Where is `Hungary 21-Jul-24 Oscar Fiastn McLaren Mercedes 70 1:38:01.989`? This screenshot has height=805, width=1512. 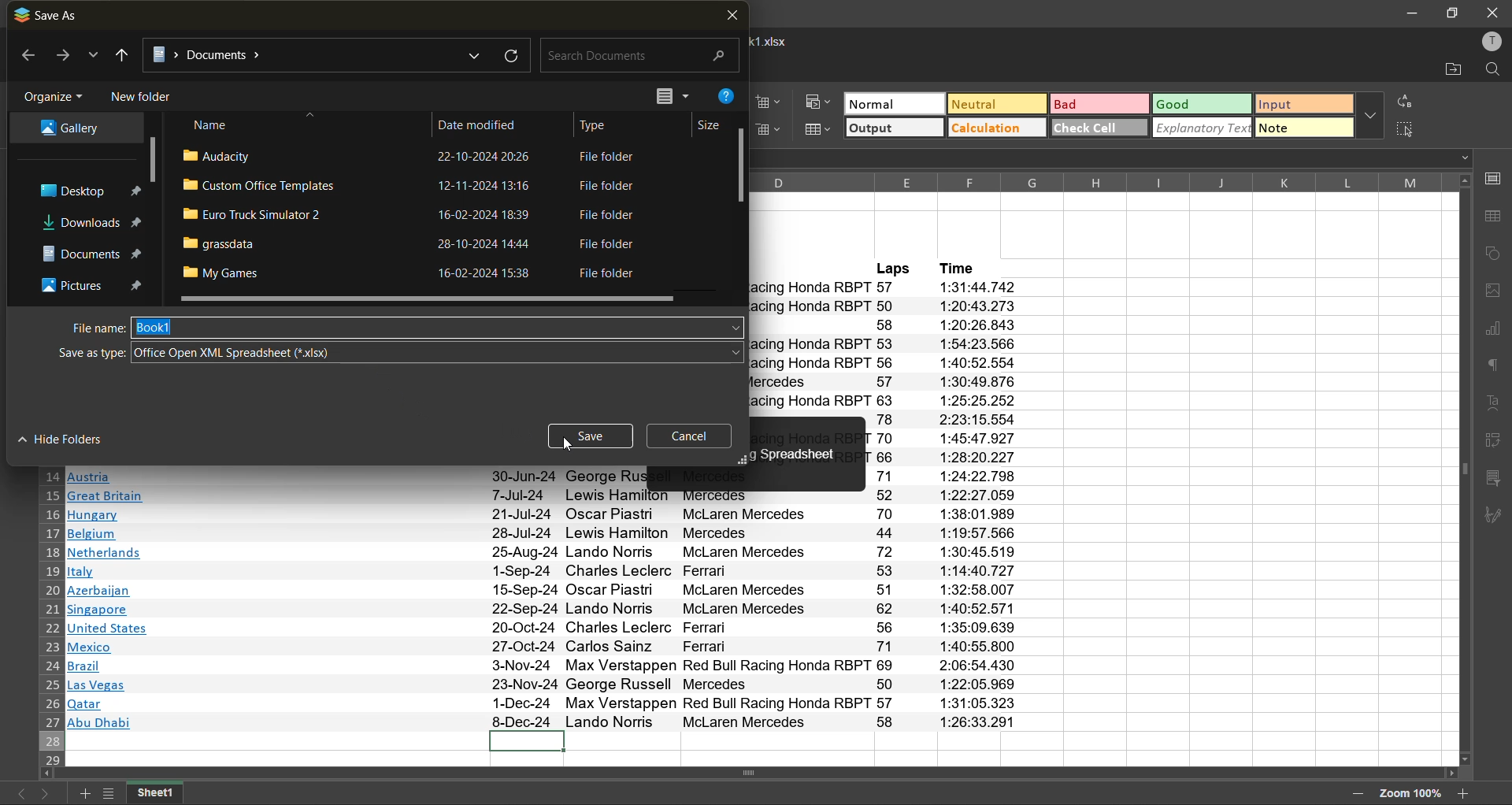
Hungary 21-Jul-24 Oscar Fiastn McLaren Mercedes 70 1:38:01.989 is located at coordinates (545, 514).